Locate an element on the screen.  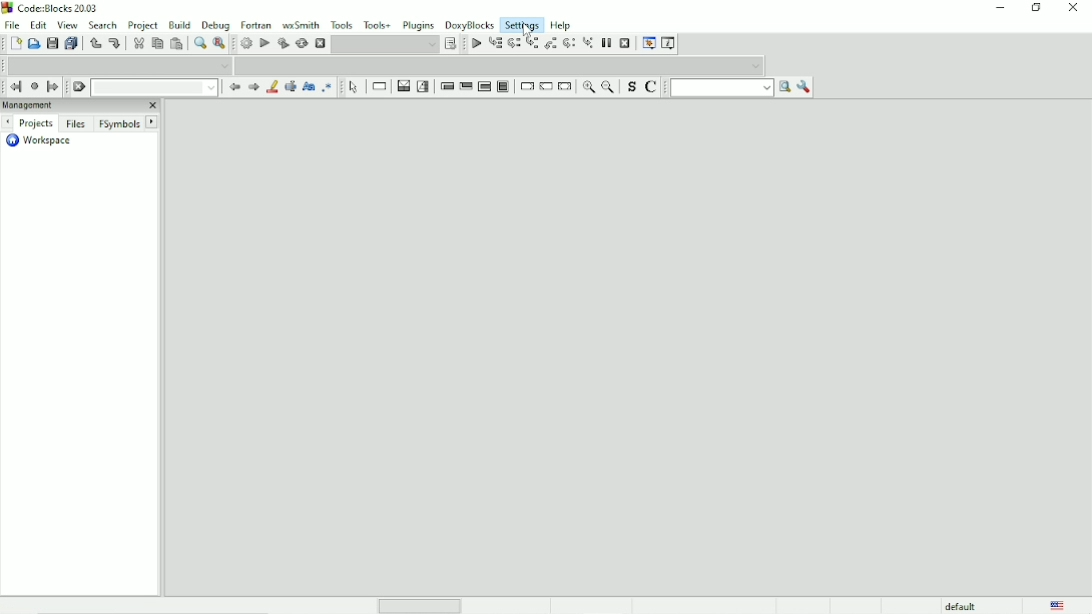
Break debuger is located at coordinates (606, 43).